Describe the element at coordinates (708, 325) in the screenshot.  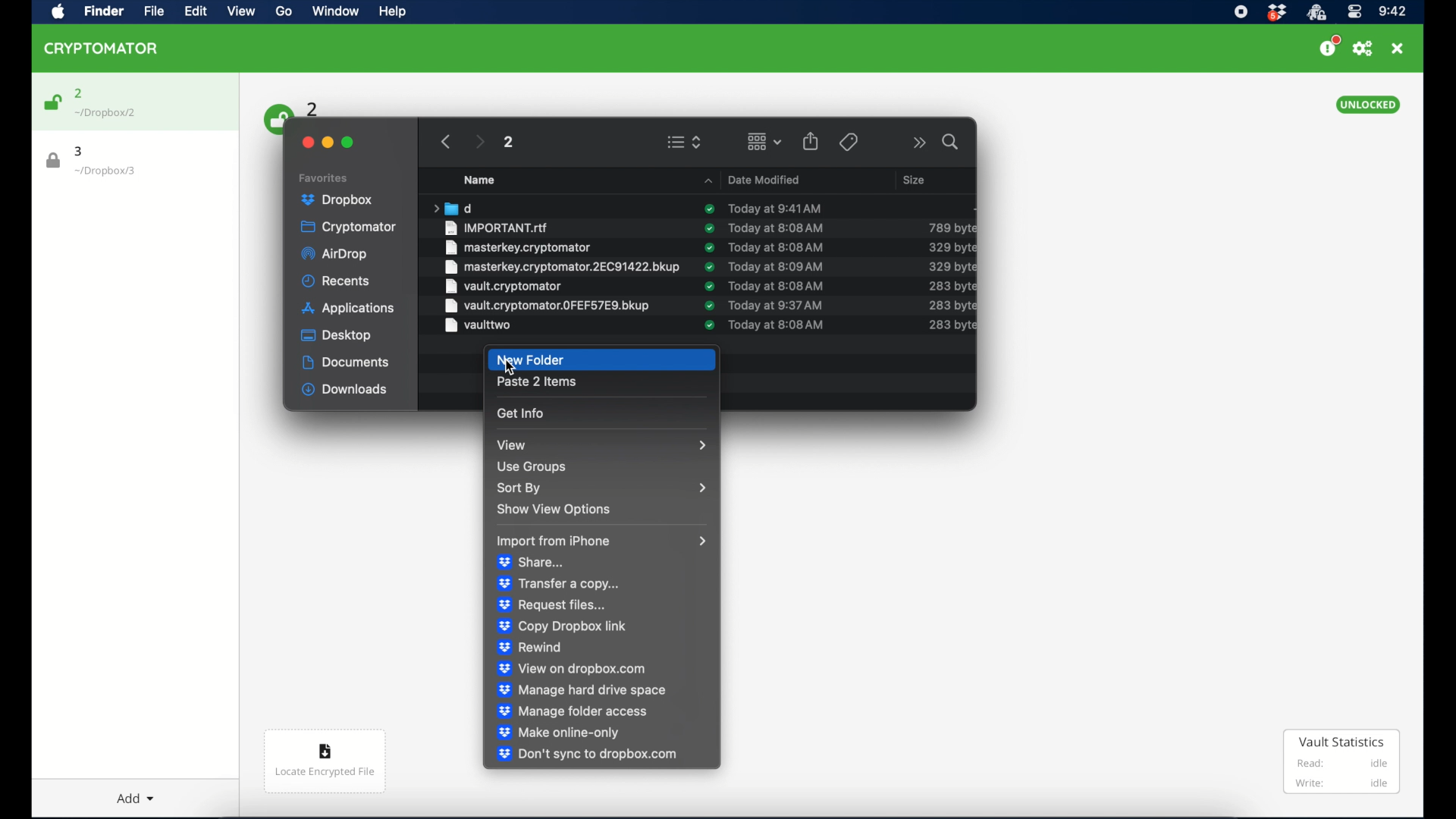
I see `sync` at that location.